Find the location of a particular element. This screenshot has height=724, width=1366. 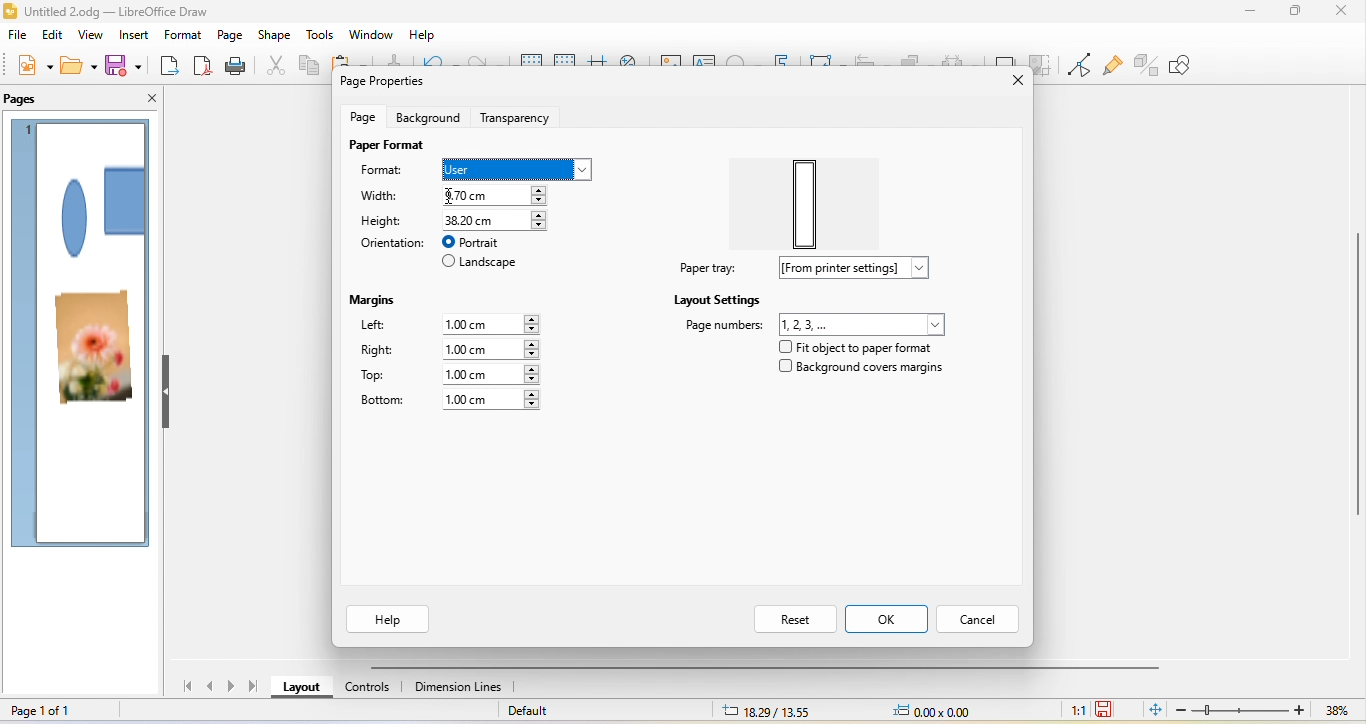

dimension lines is located at coordinates (460, 689).